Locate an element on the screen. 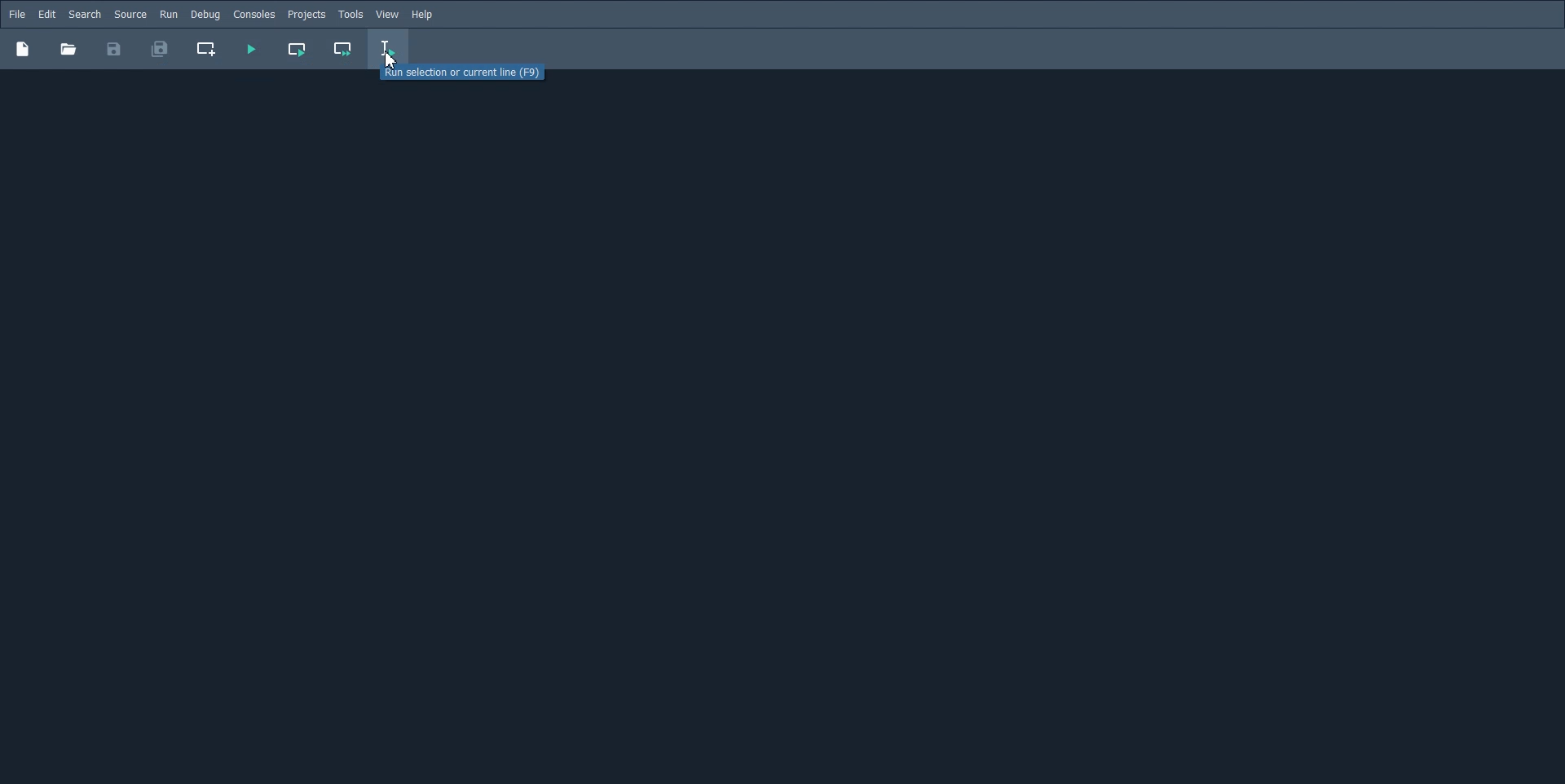 The width and height of the screenshot is (1565, 784). New file is located at coordinates (22, 48).